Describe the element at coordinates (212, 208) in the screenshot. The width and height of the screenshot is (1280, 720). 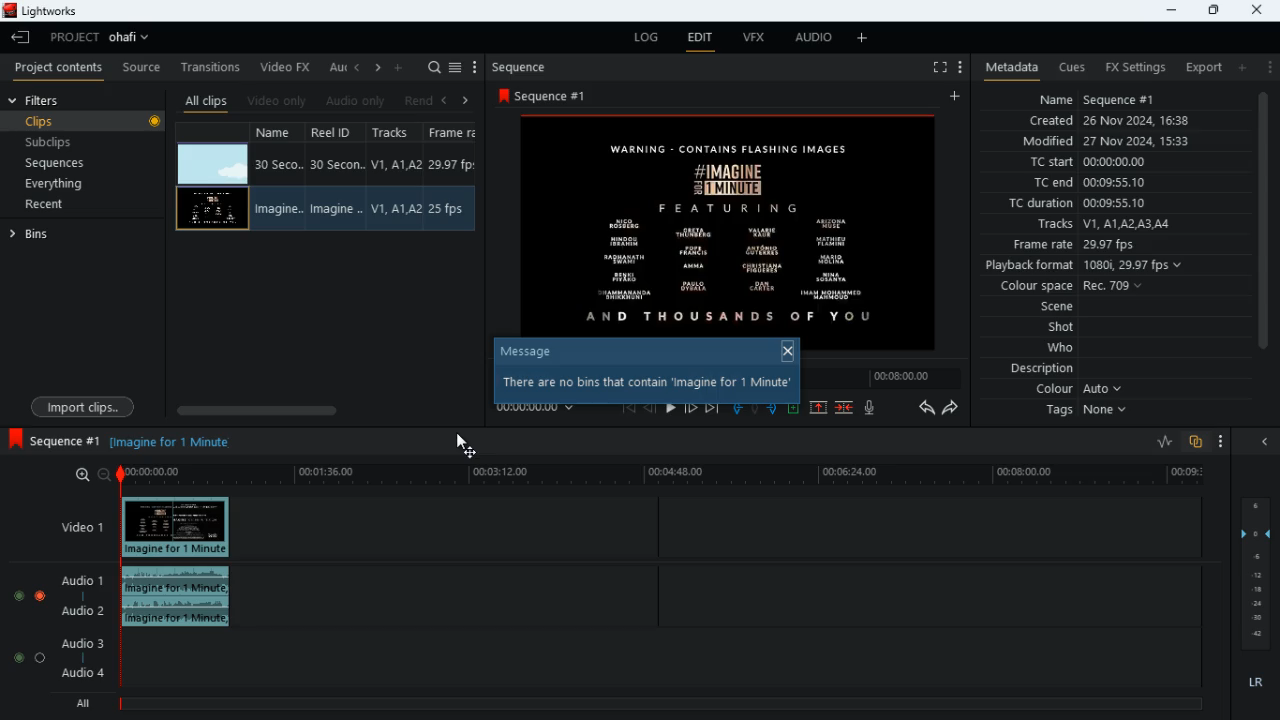
I see `video` at that location.